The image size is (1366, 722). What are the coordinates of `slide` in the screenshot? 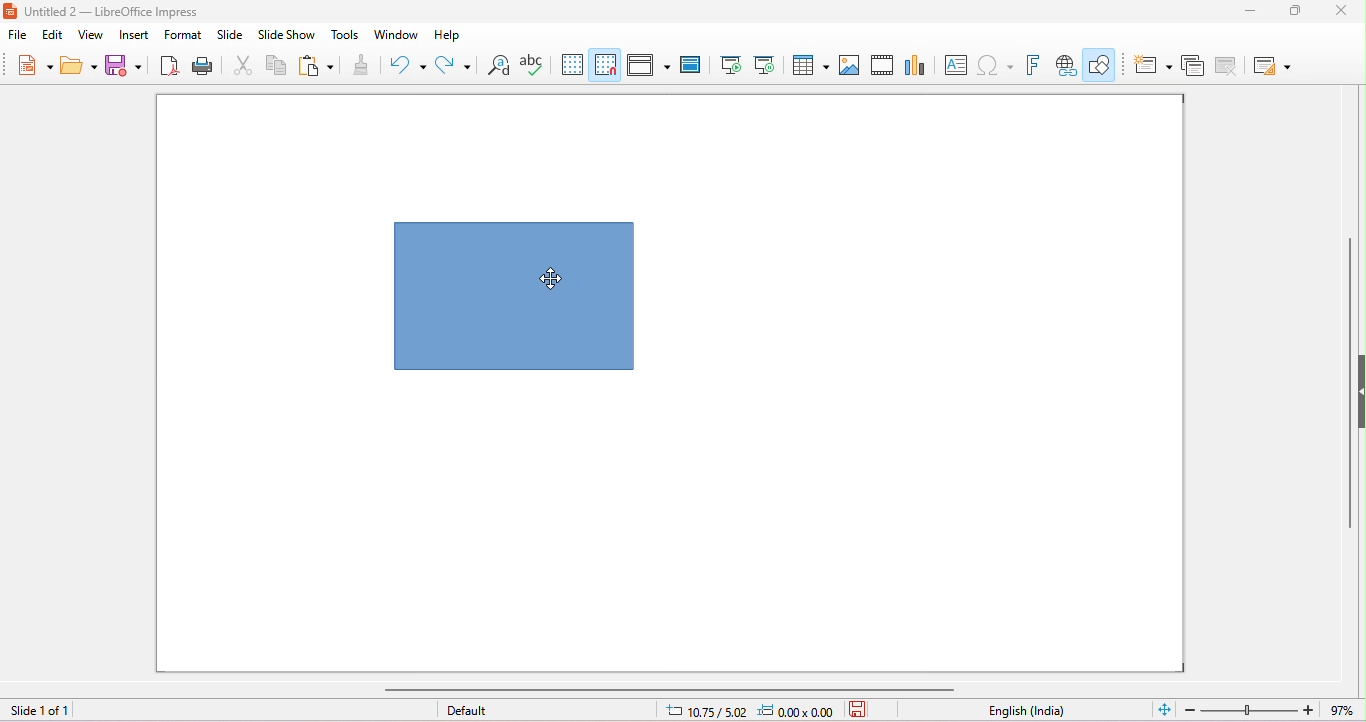 It's located at (230, 34).